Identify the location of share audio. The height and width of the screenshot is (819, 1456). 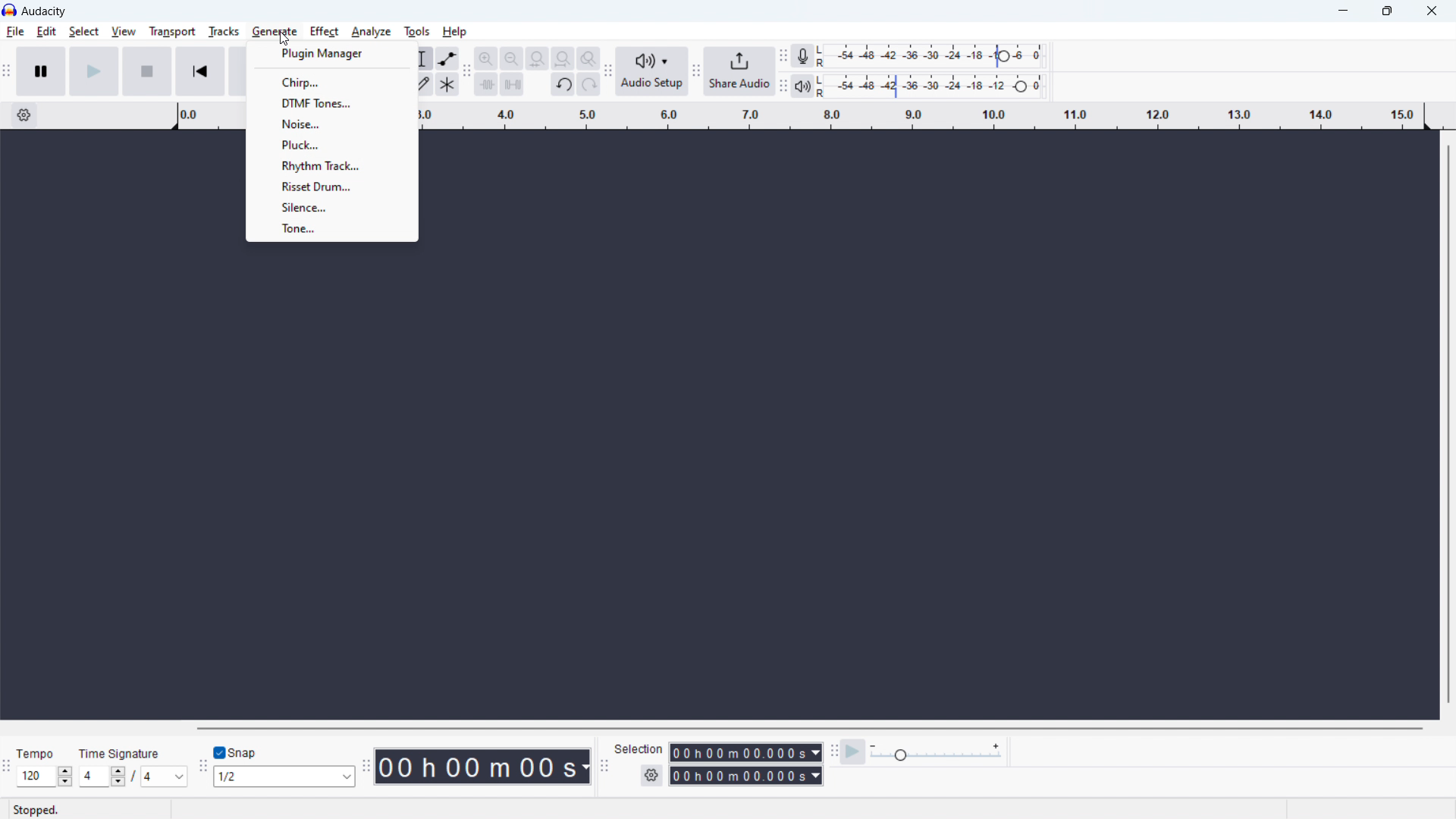
(740, 71).